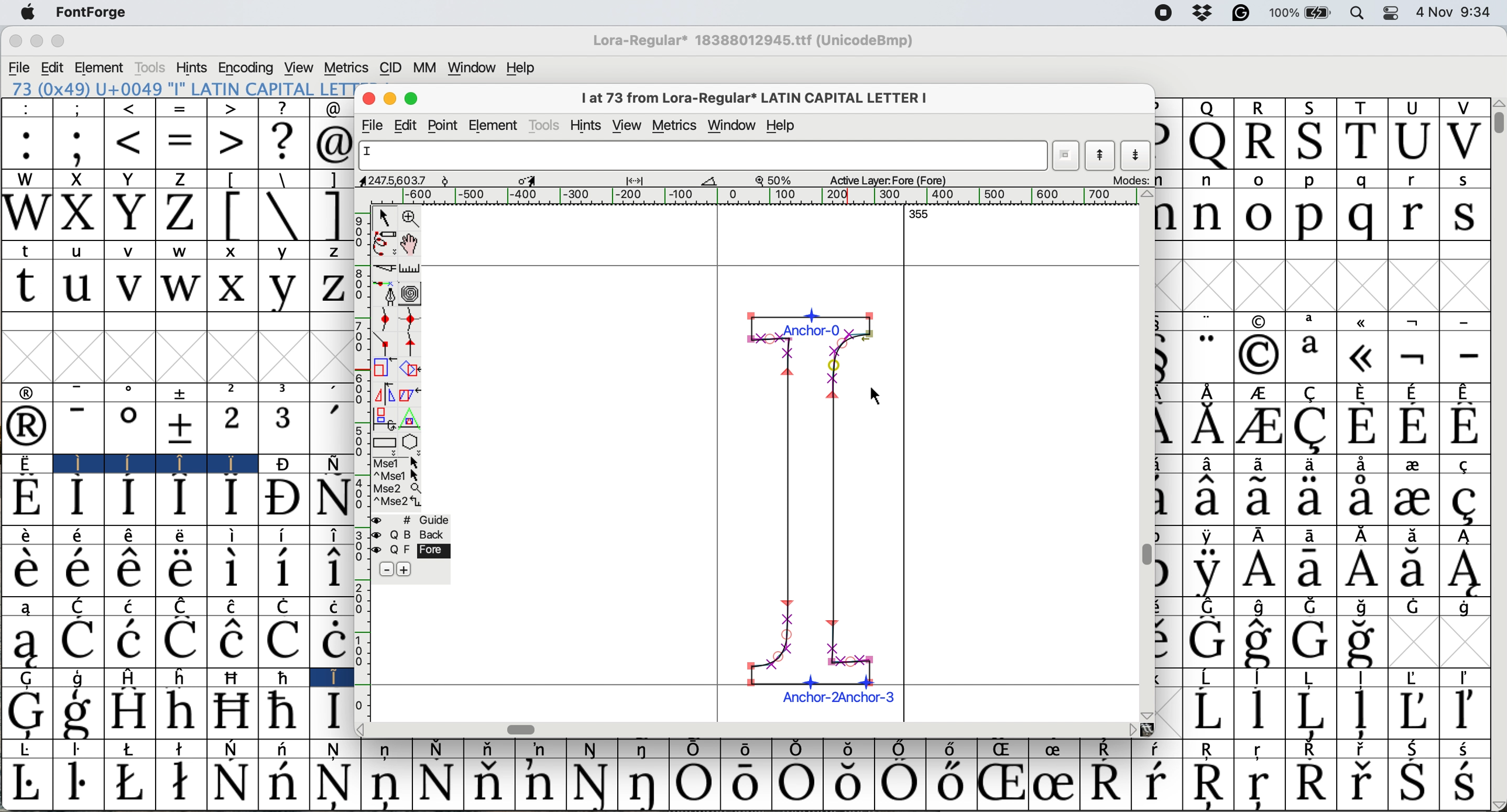 The height and width of the screenshot is (812, 1507). What do you see at coordinates (1312, 641) in the screenshot?
I see `Symbol` at bounding box center [1312, 641].